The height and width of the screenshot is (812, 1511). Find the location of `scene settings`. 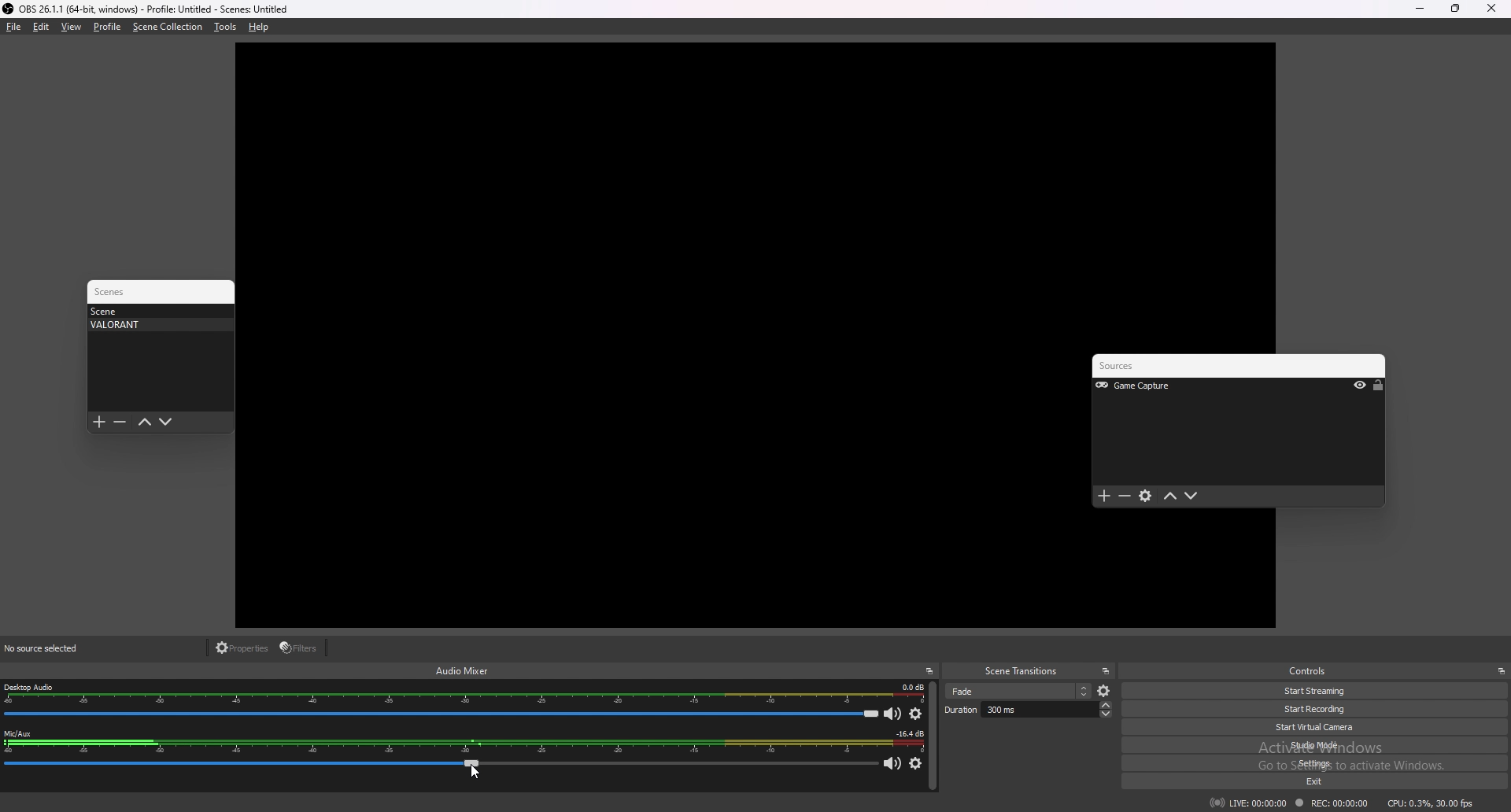

scene settings is located at coordinates (1105, 692).